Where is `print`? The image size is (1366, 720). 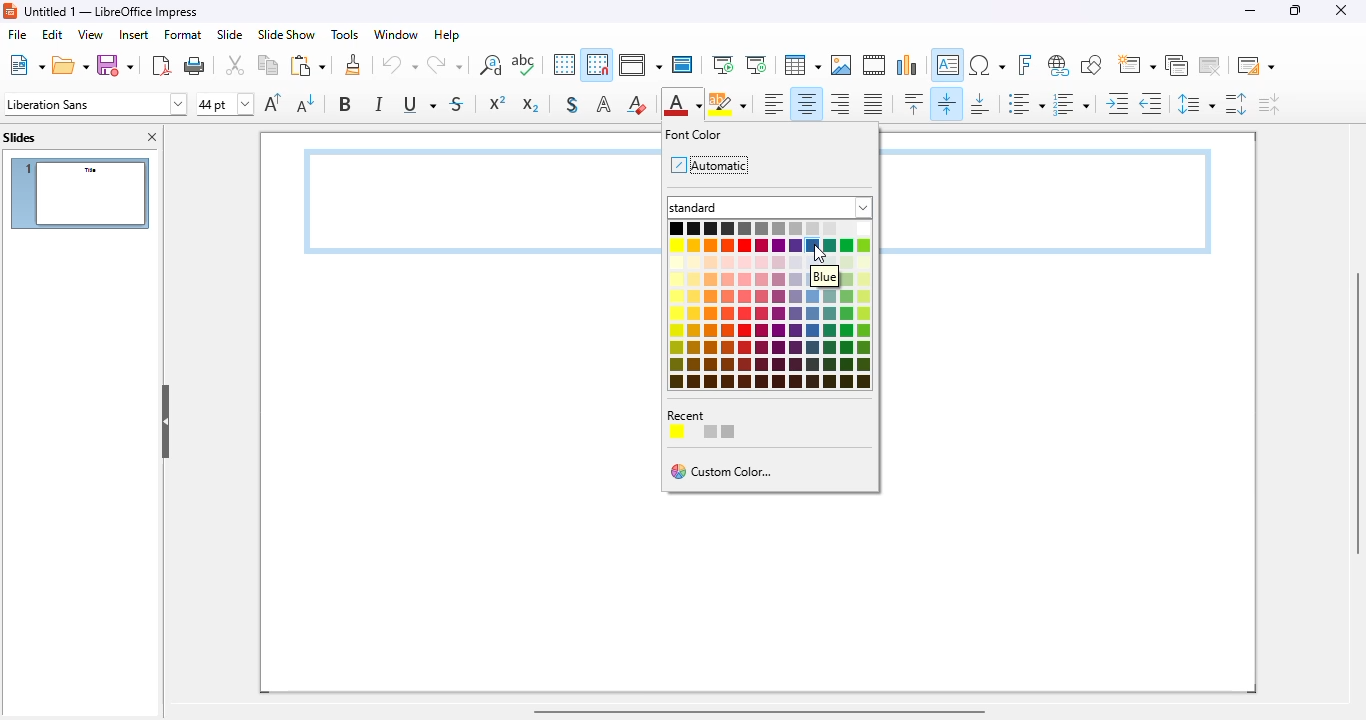
print is located at coordinates (195, 65).